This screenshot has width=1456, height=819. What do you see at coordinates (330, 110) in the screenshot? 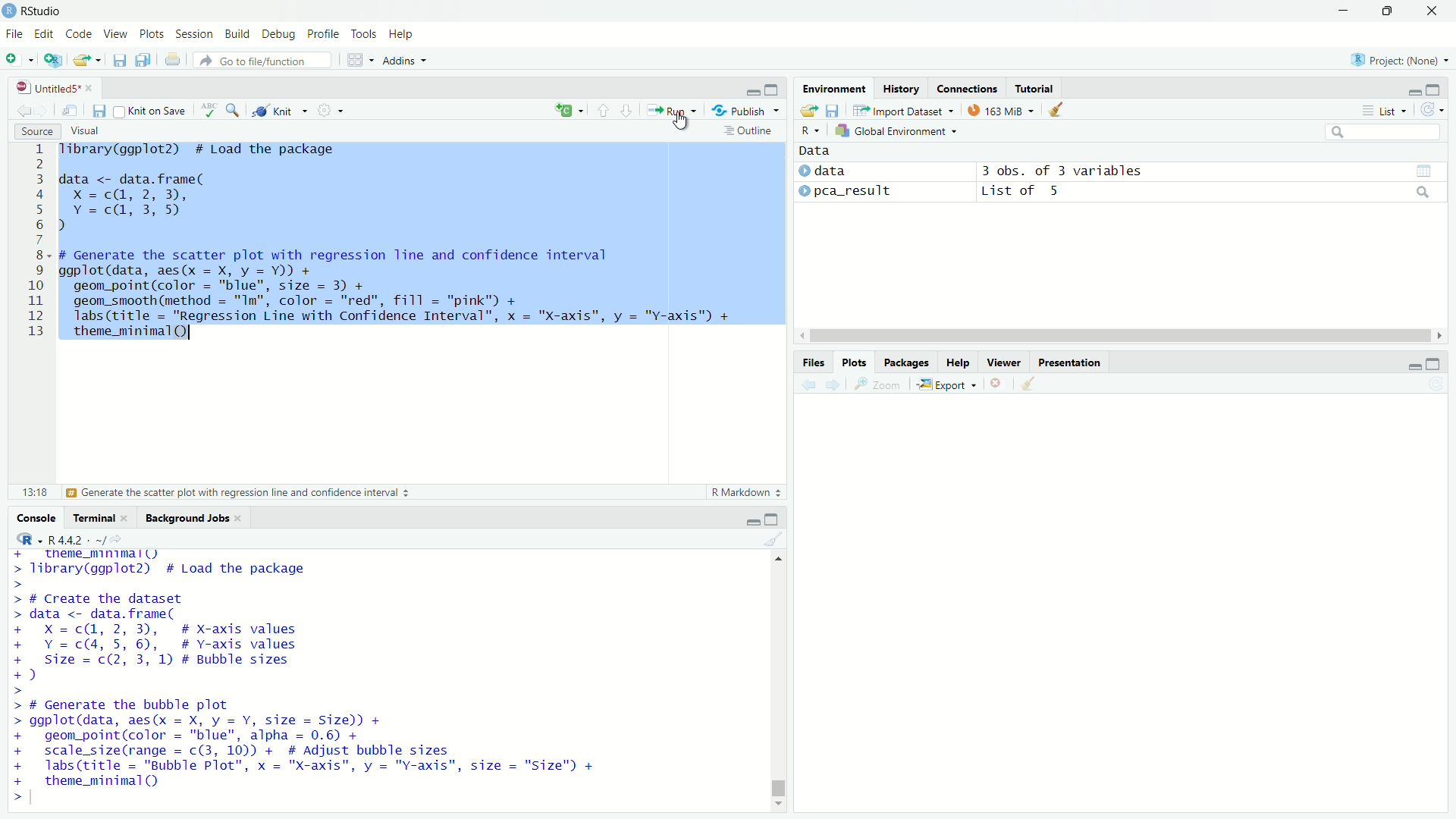
I see `More options` at bounding box center [330, 110].